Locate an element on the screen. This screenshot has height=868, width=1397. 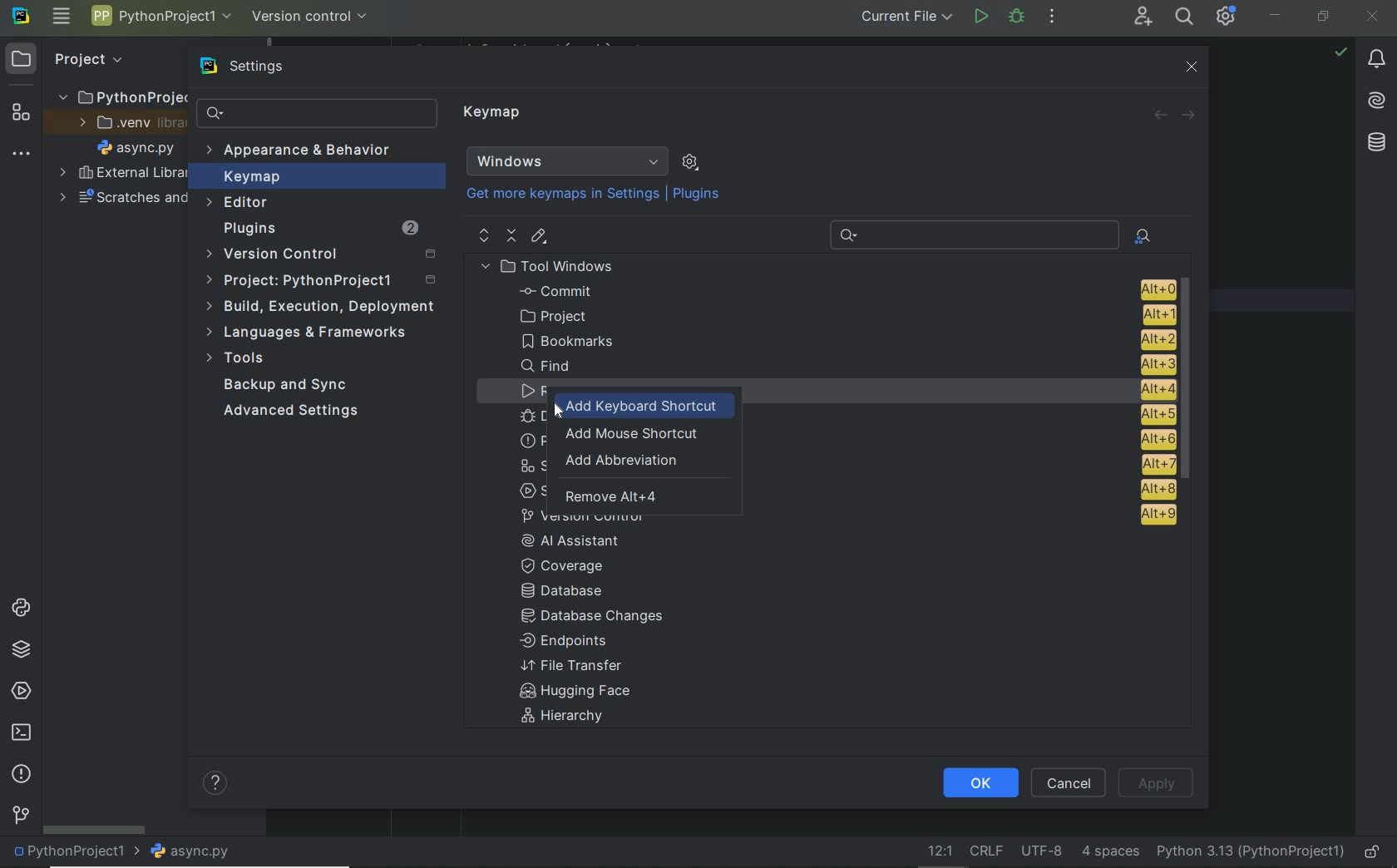
find actions by shortcut is located at coordinates (1143, 236).